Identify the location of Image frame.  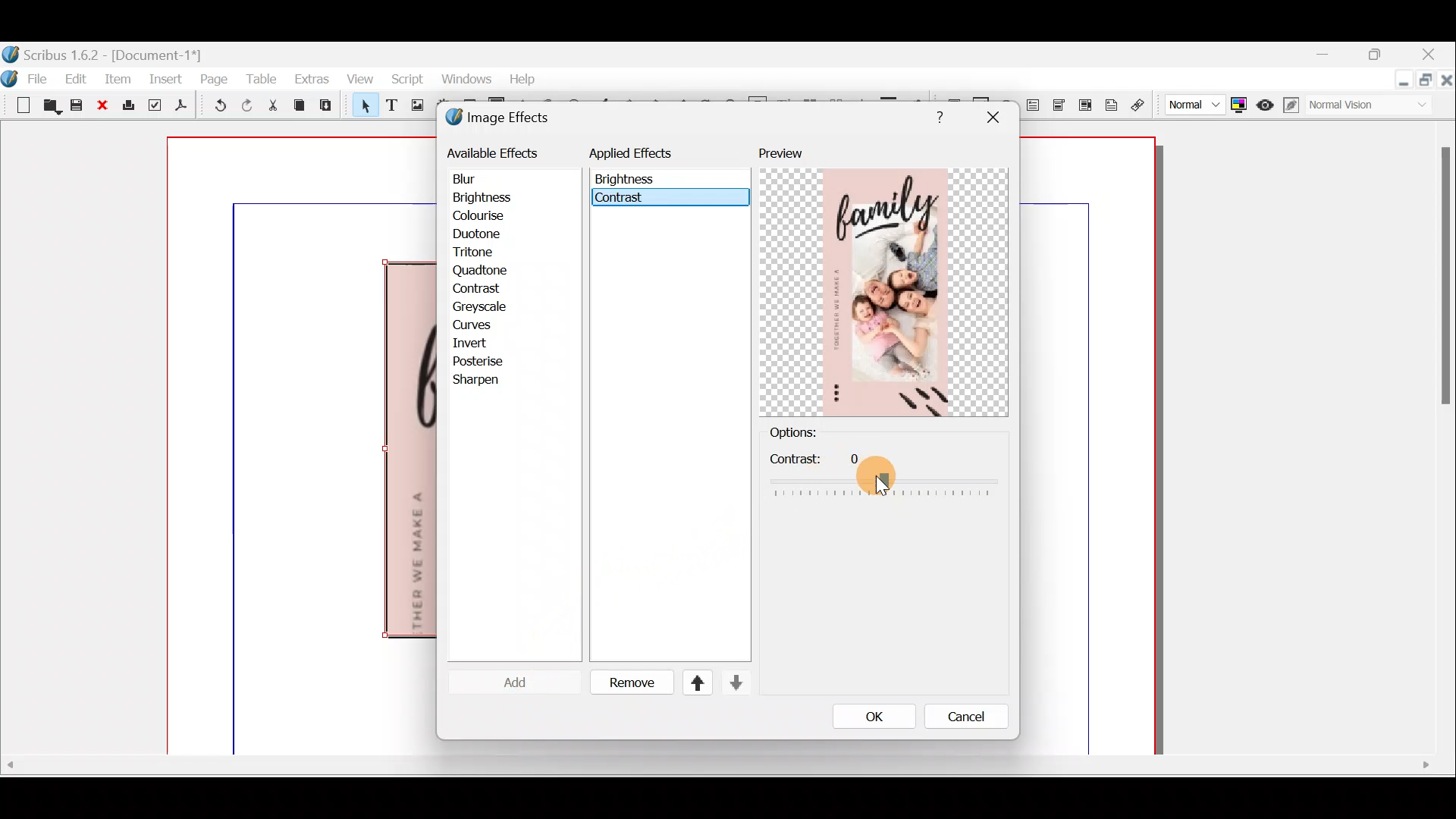
(415, 107).